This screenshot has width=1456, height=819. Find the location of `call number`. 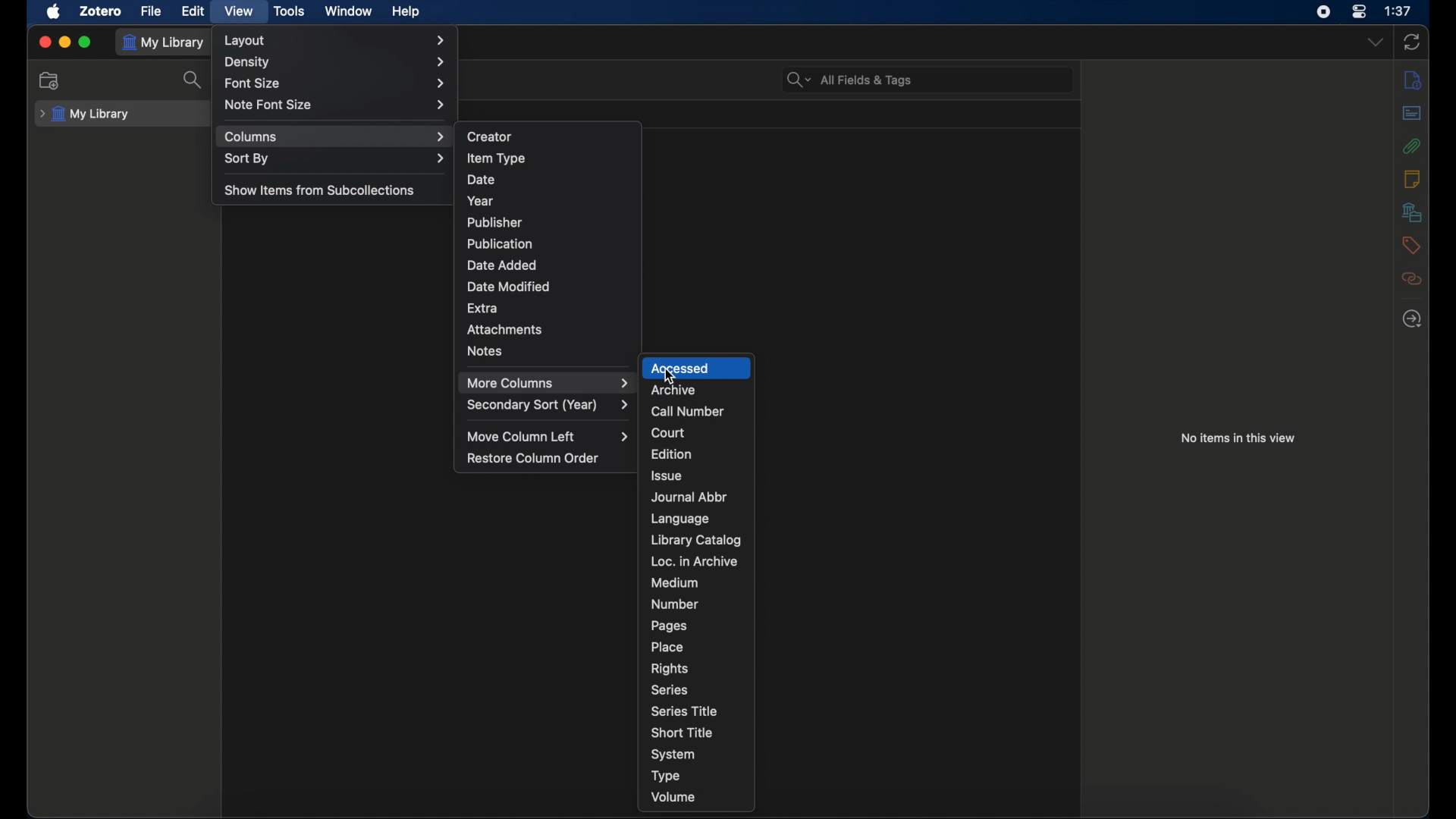

call number is located at coordinates (686, 412).